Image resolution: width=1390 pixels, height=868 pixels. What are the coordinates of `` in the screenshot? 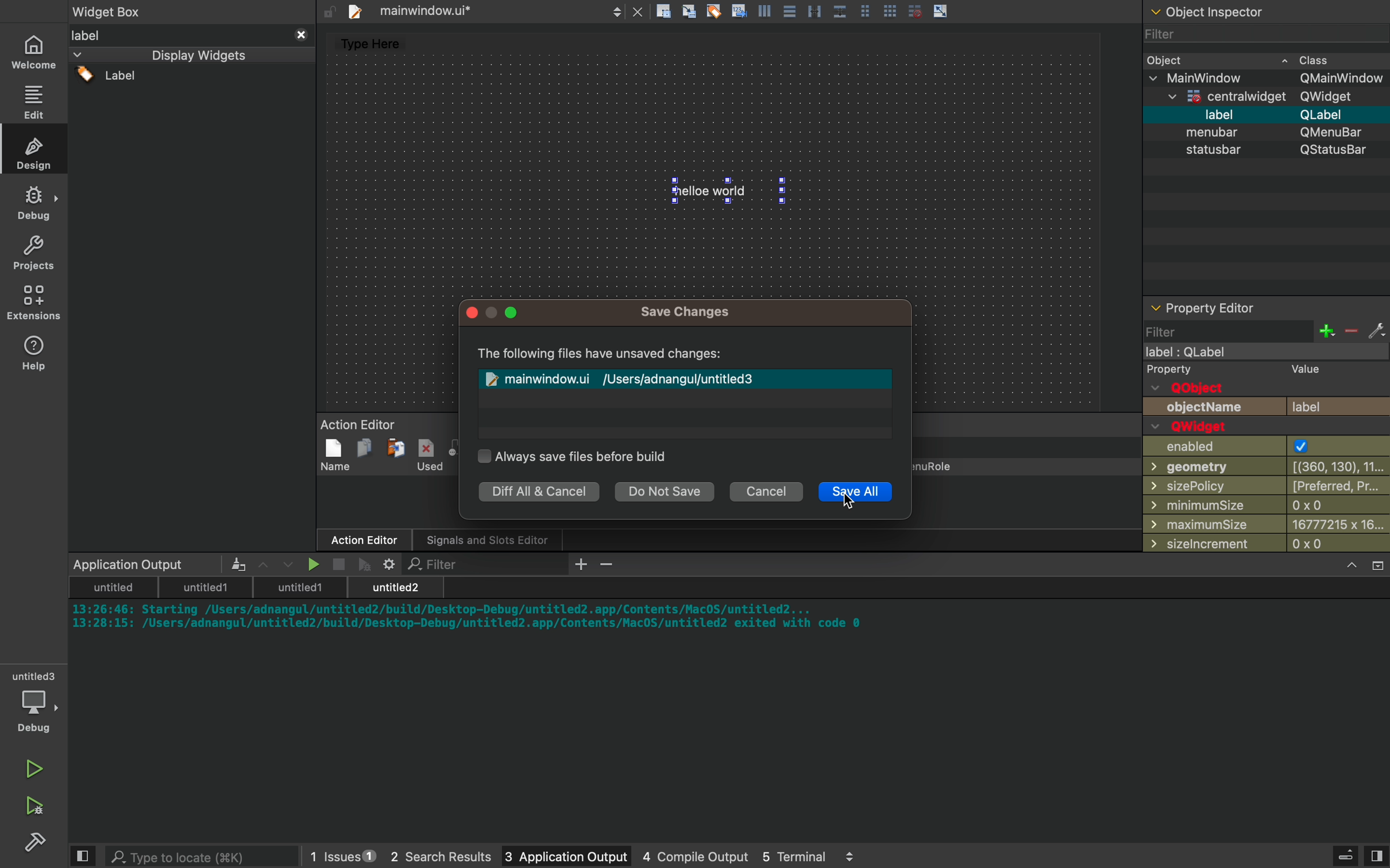 It's located at (1223, 11).